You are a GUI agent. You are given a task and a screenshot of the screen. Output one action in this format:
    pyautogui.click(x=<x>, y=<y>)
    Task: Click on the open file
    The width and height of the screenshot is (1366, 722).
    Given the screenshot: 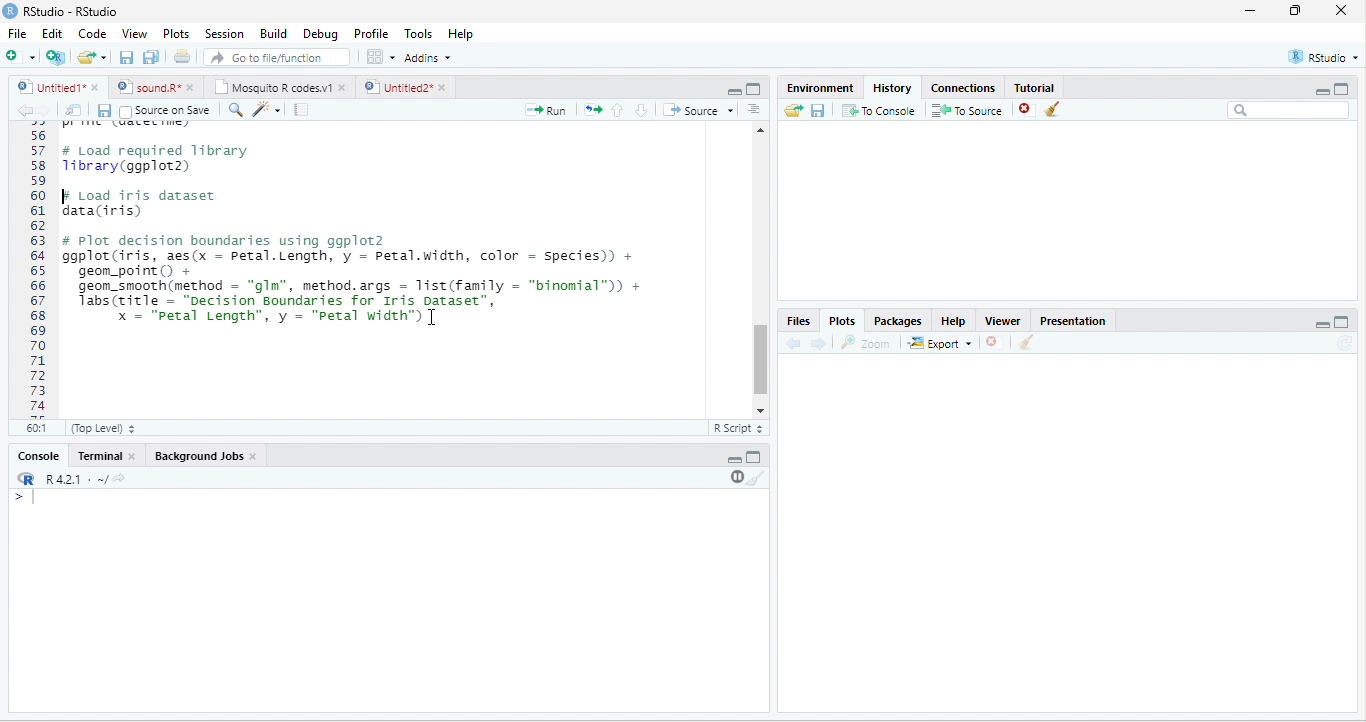 What is the action you would take?
    pyautogui.click(x=92, y=57)
    